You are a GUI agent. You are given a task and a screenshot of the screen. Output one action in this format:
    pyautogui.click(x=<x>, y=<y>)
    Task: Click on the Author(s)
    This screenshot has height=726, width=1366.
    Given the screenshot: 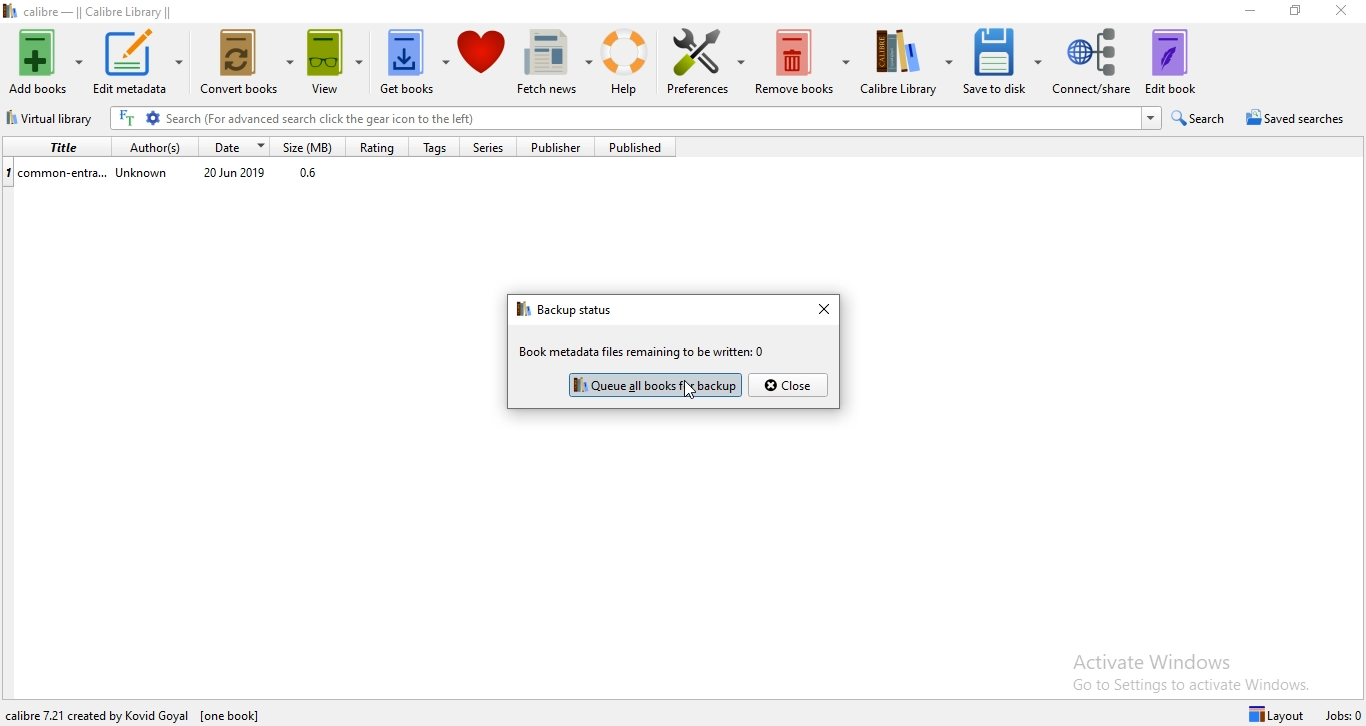 What is the action you would take?
    pyautogui.click(x=150, y=146)
    